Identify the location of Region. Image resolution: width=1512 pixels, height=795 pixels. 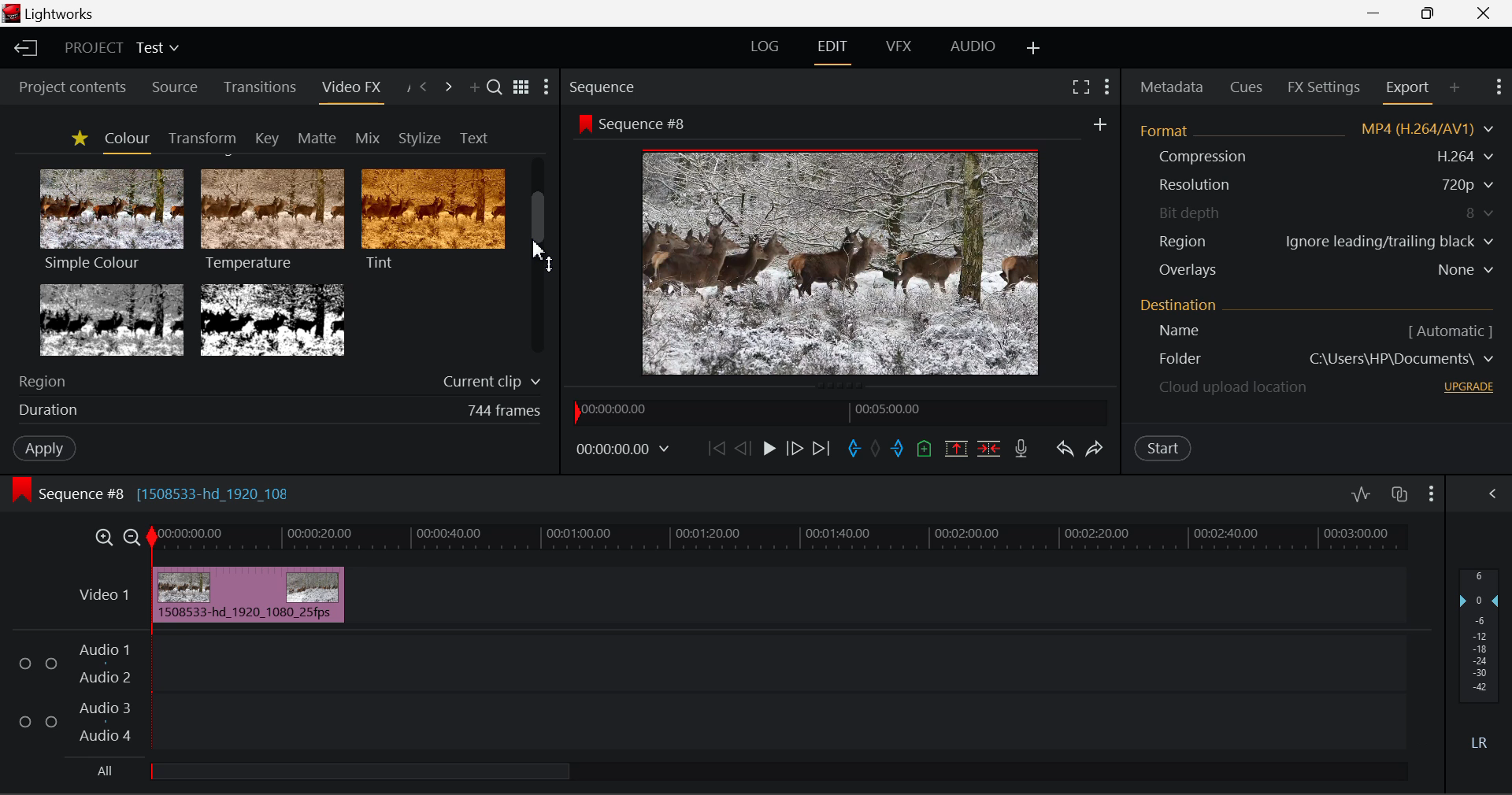
(1184, 241).